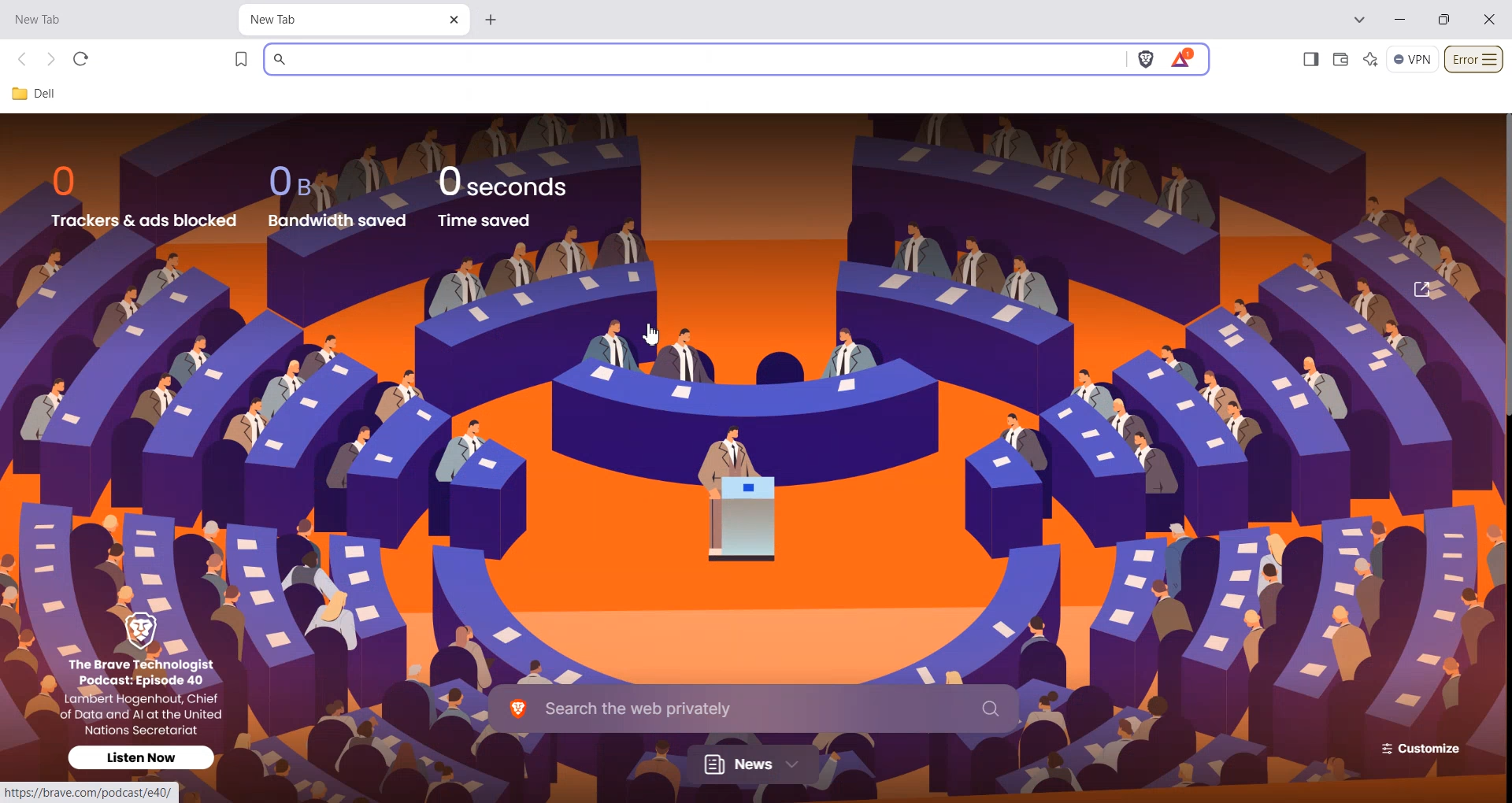 The image size is (1512, 803). Describe the element at coordinates (693, 59) in the screenshot. I see `Search bar window` at that location.